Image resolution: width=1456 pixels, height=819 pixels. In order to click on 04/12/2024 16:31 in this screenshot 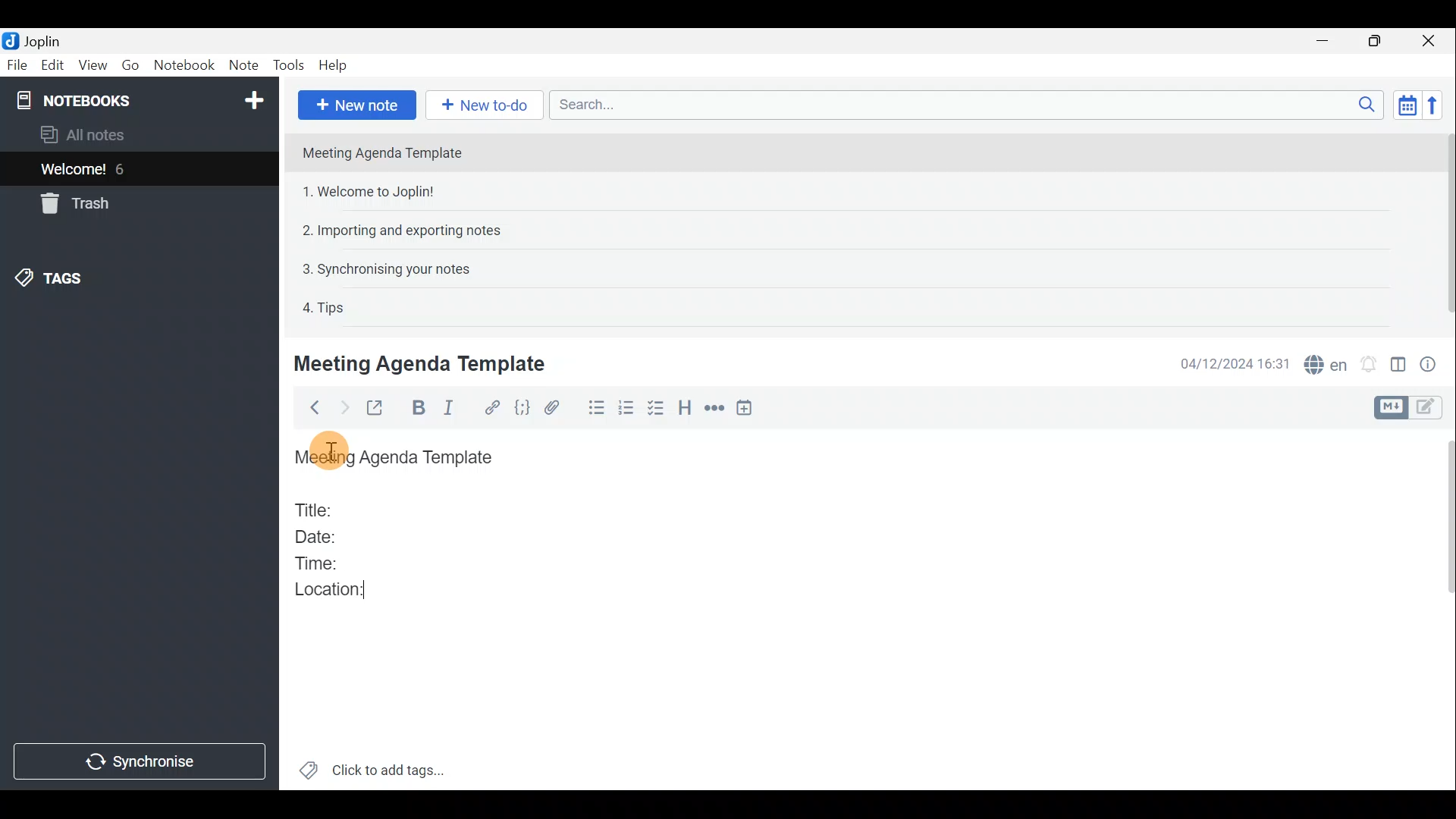, I will do `click(1228, 362)`.